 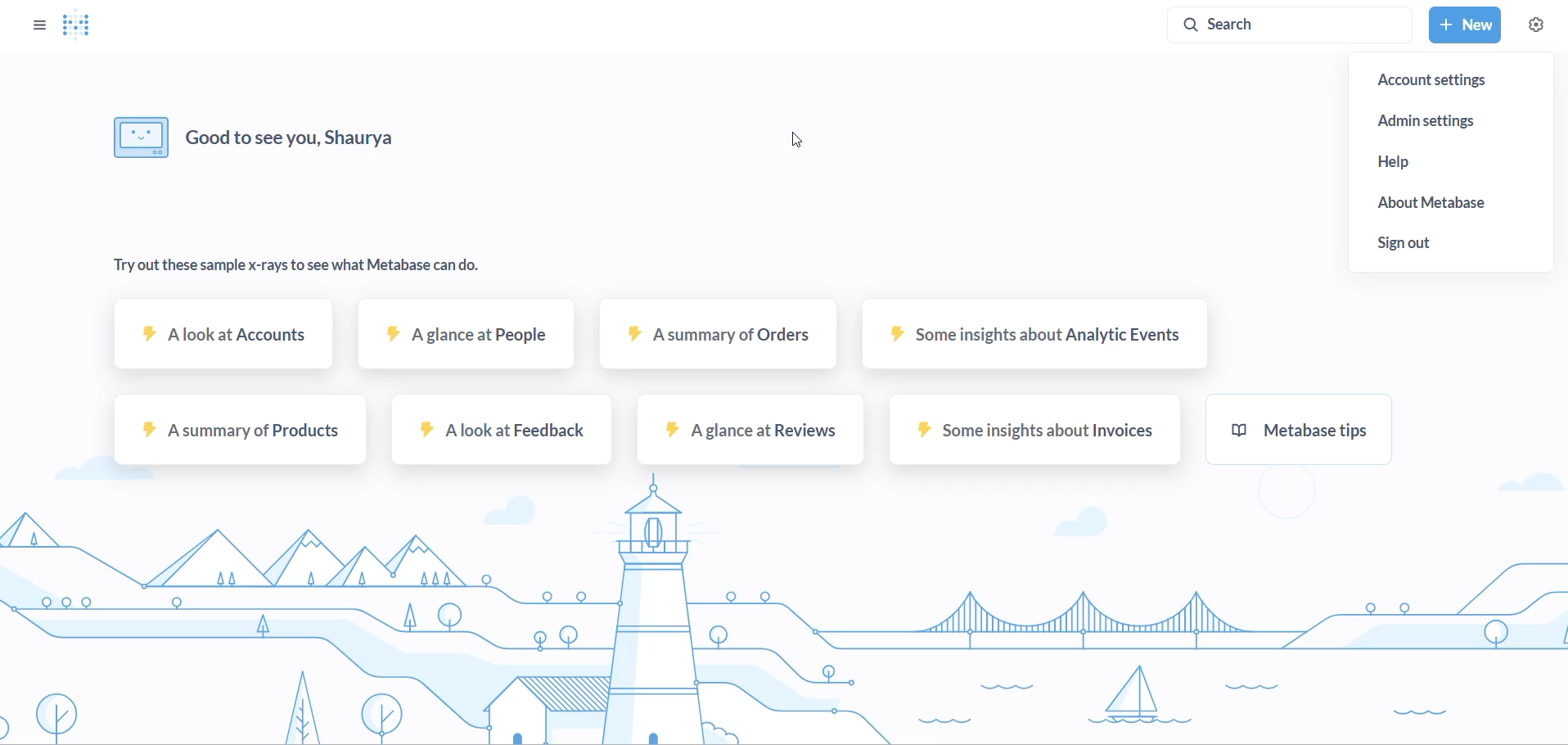 What do you see at coordinates (1464, 25) in the screenshot?
I see `NEW` at bounding box center [1464, 25].